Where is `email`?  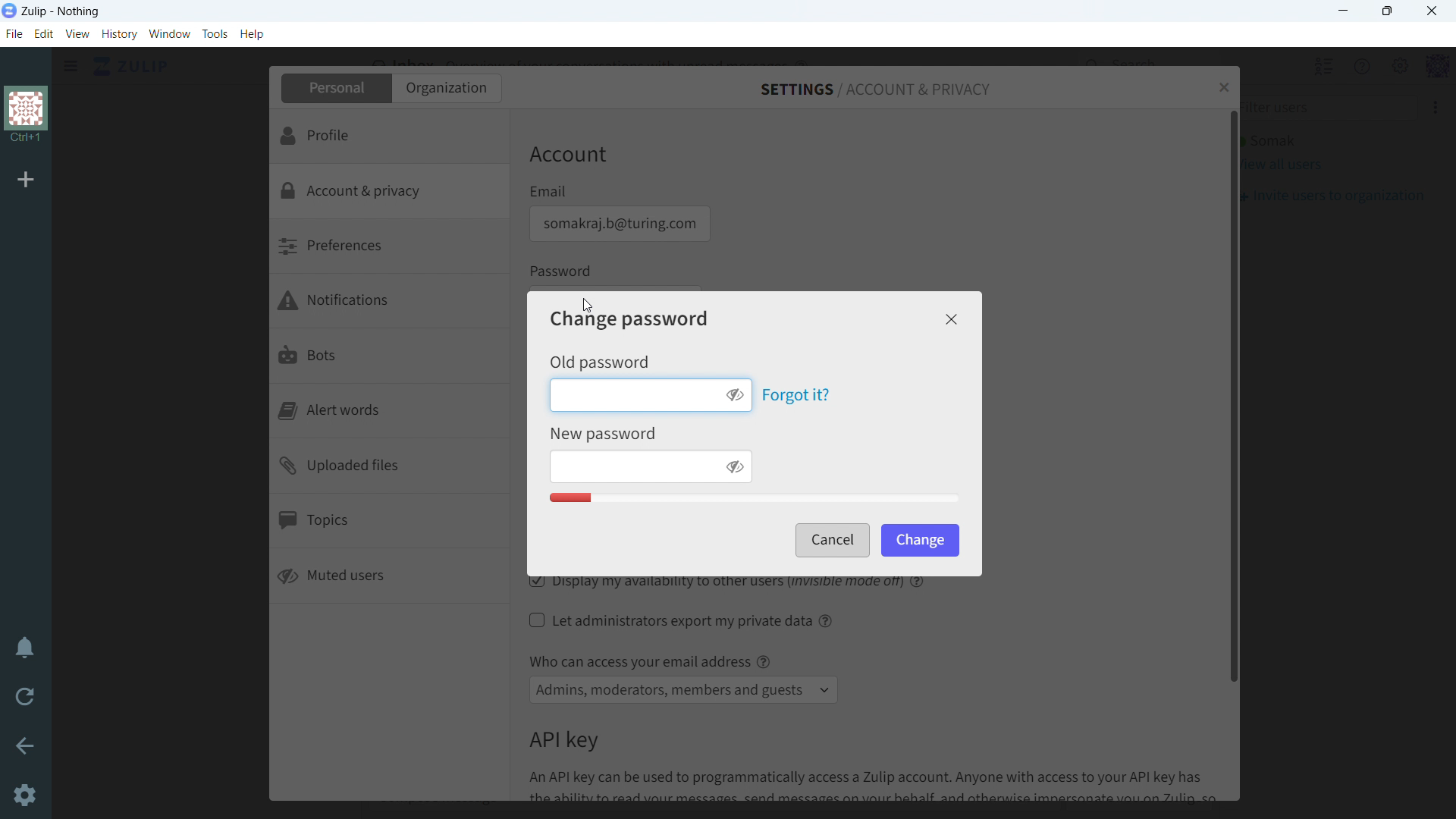 email is located at coordinates (618, 224).